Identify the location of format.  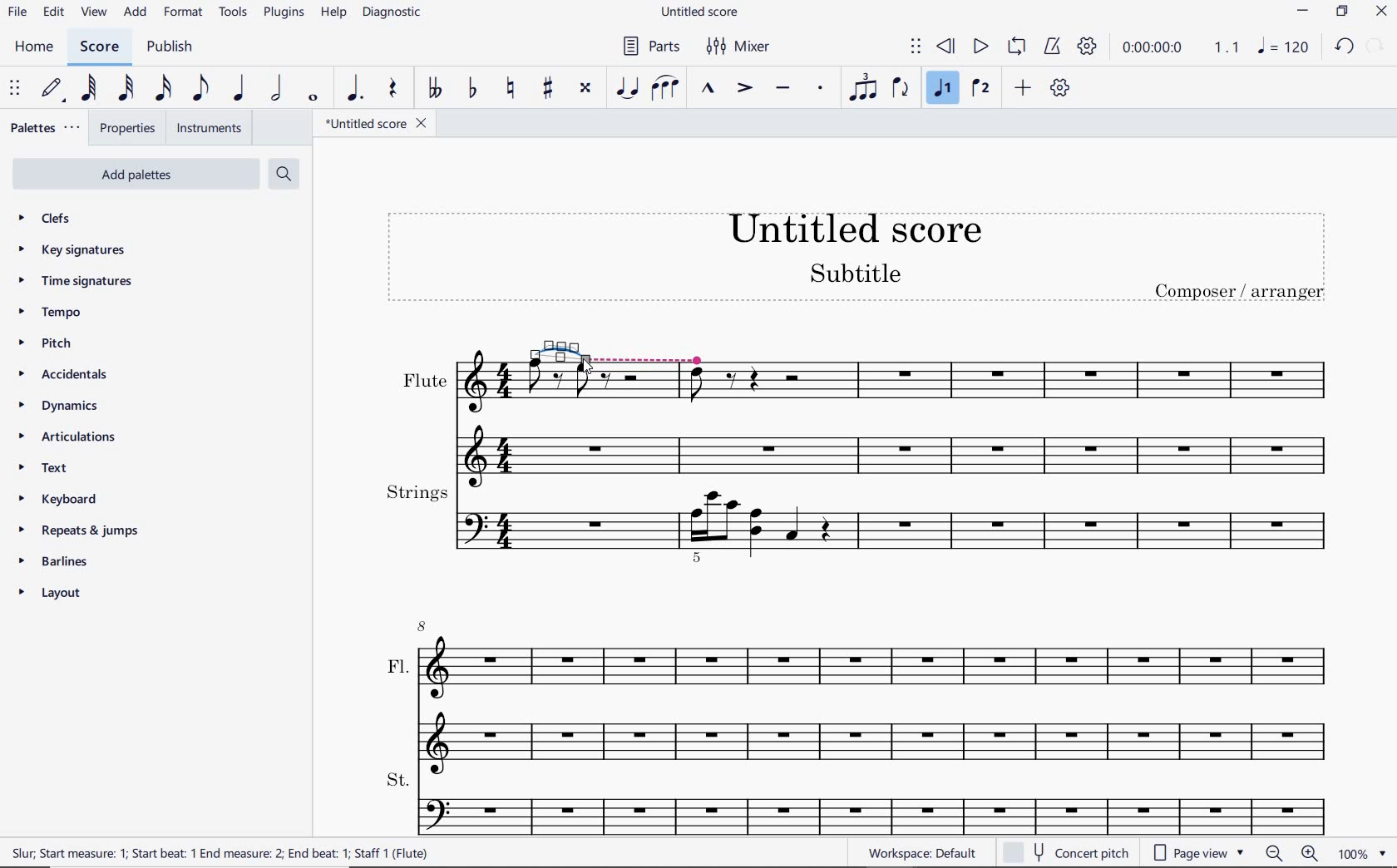
(181, 13).